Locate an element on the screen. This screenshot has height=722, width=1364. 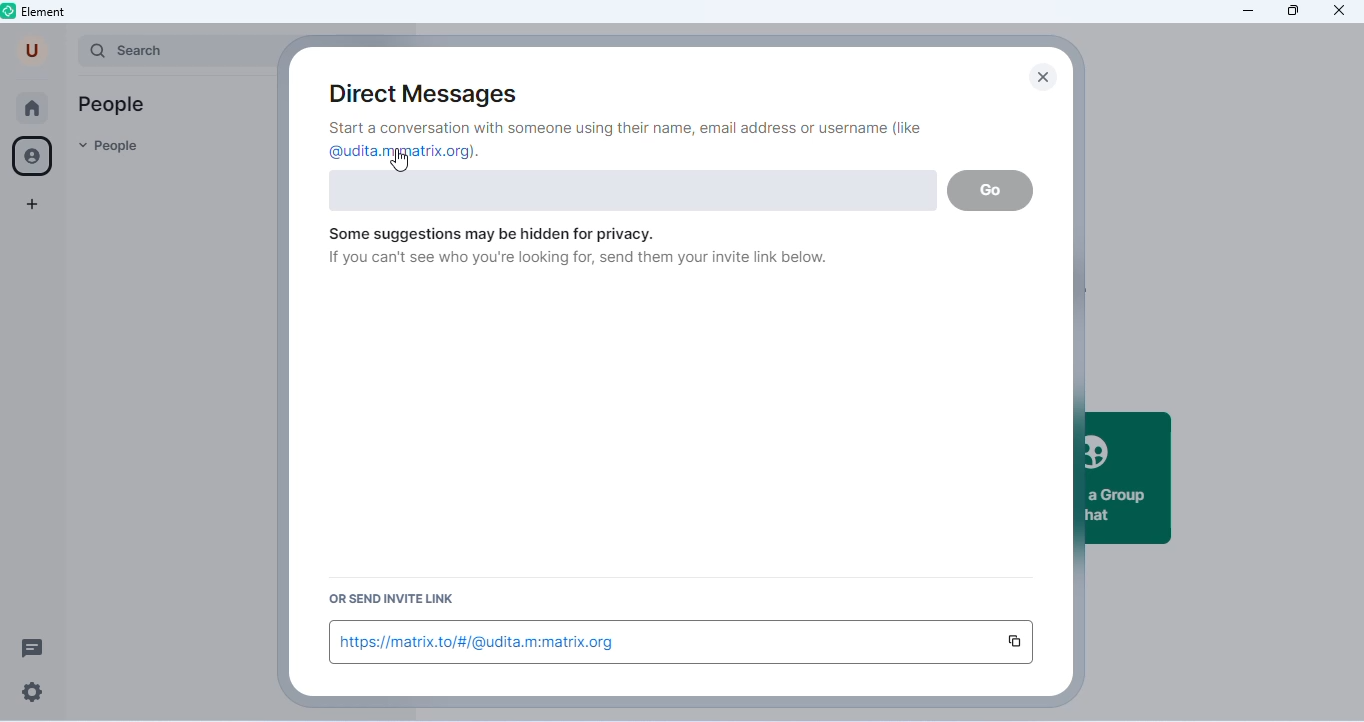
copy is located at coordinates (1014, 642).